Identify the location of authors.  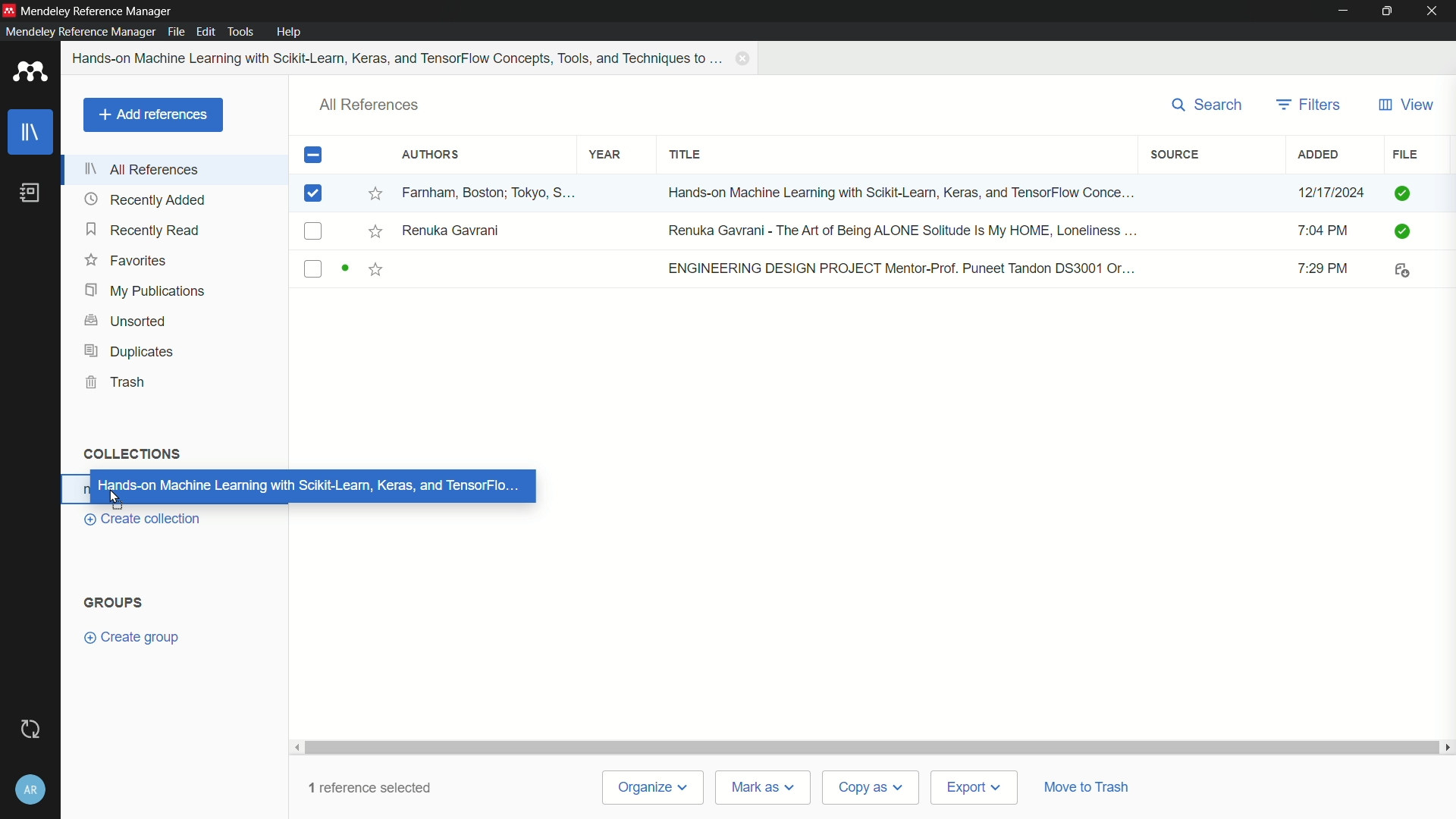
(429, 155).